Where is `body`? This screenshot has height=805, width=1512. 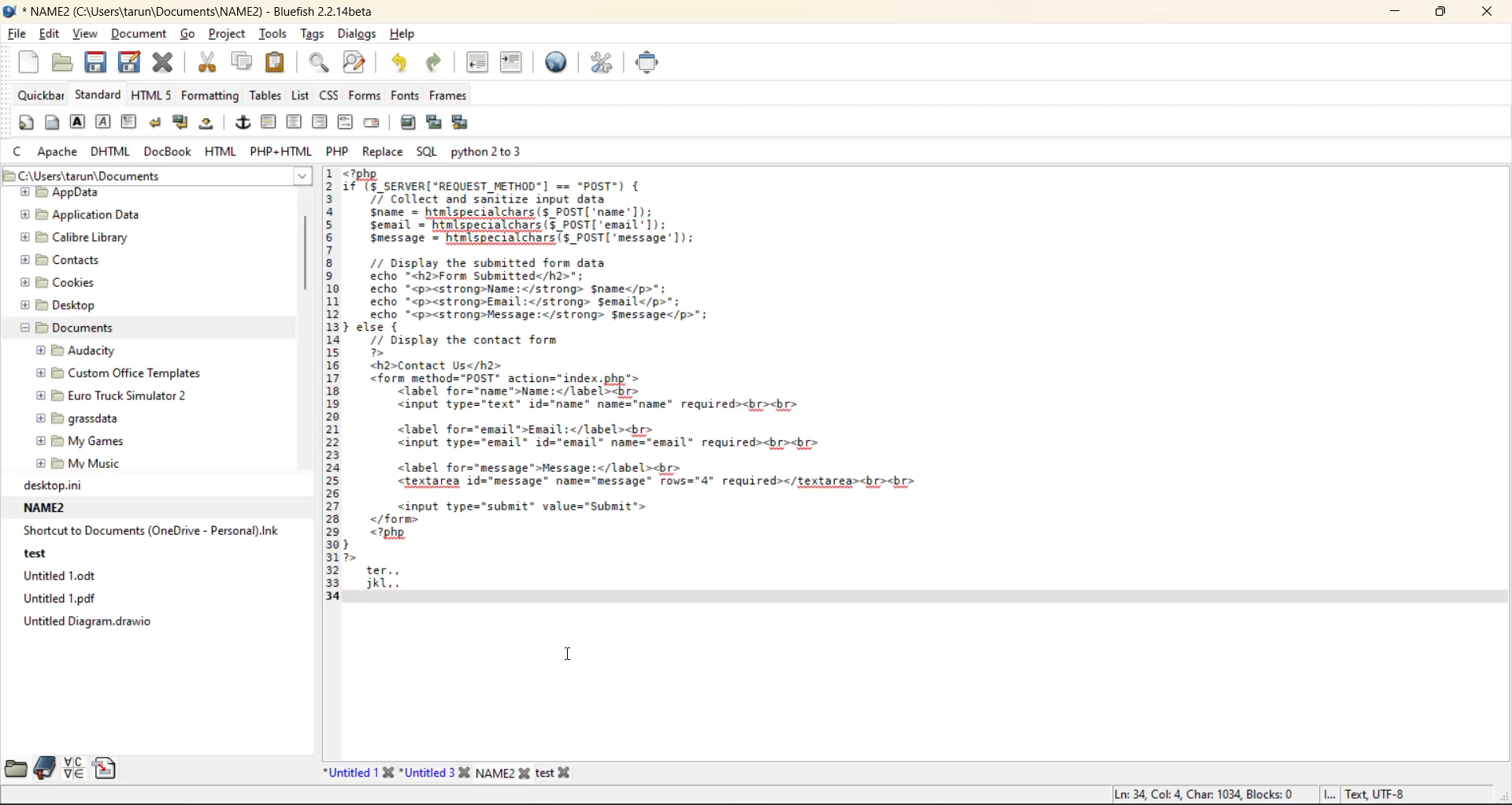
body is located at coordinates (50, 121).